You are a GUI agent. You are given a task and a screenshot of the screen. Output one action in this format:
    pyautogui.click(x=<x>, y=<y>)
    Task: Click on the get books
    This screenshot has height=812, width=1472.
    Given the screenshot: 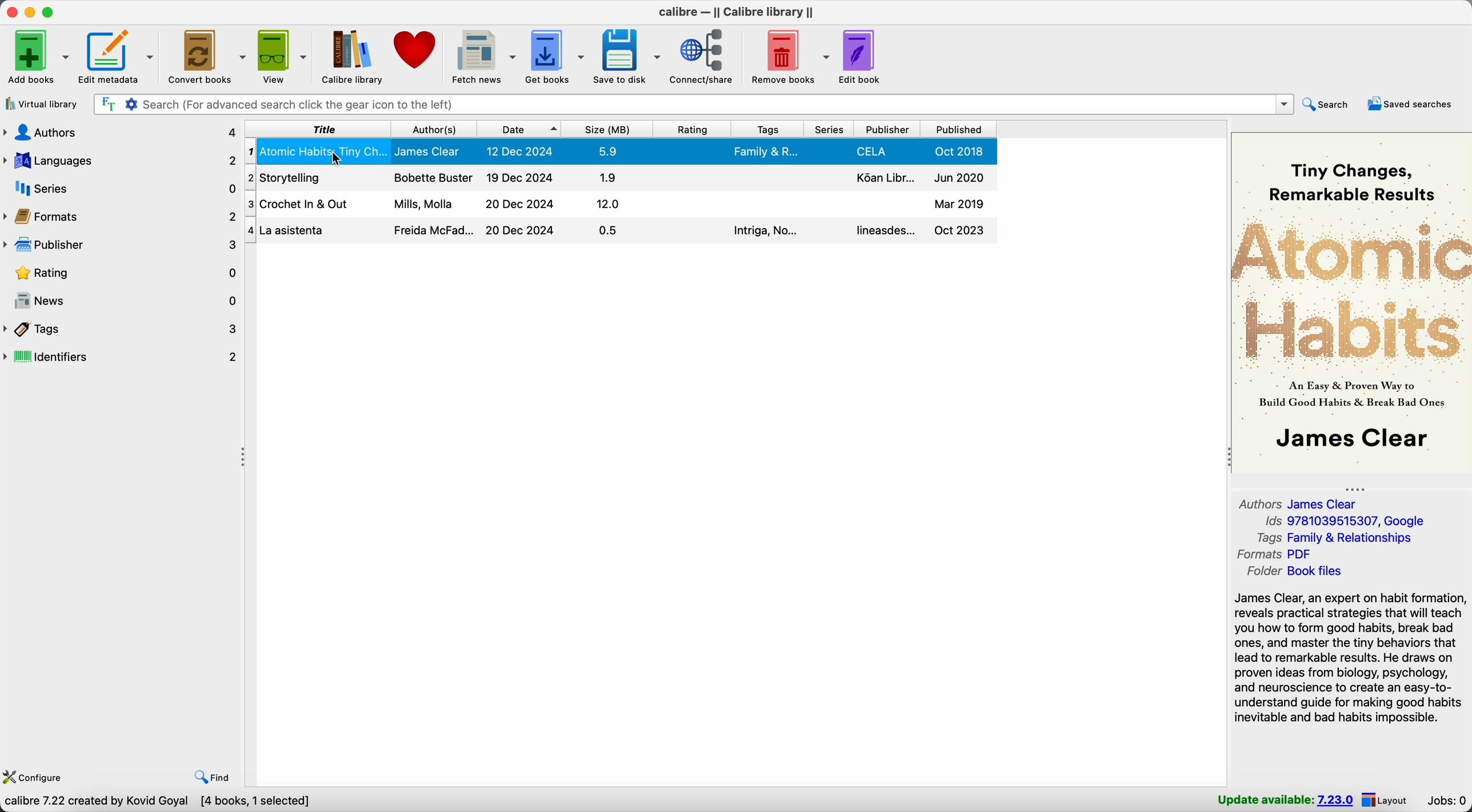 What is the action you would take?
    pyautogui.click(x=555, y=56)
    